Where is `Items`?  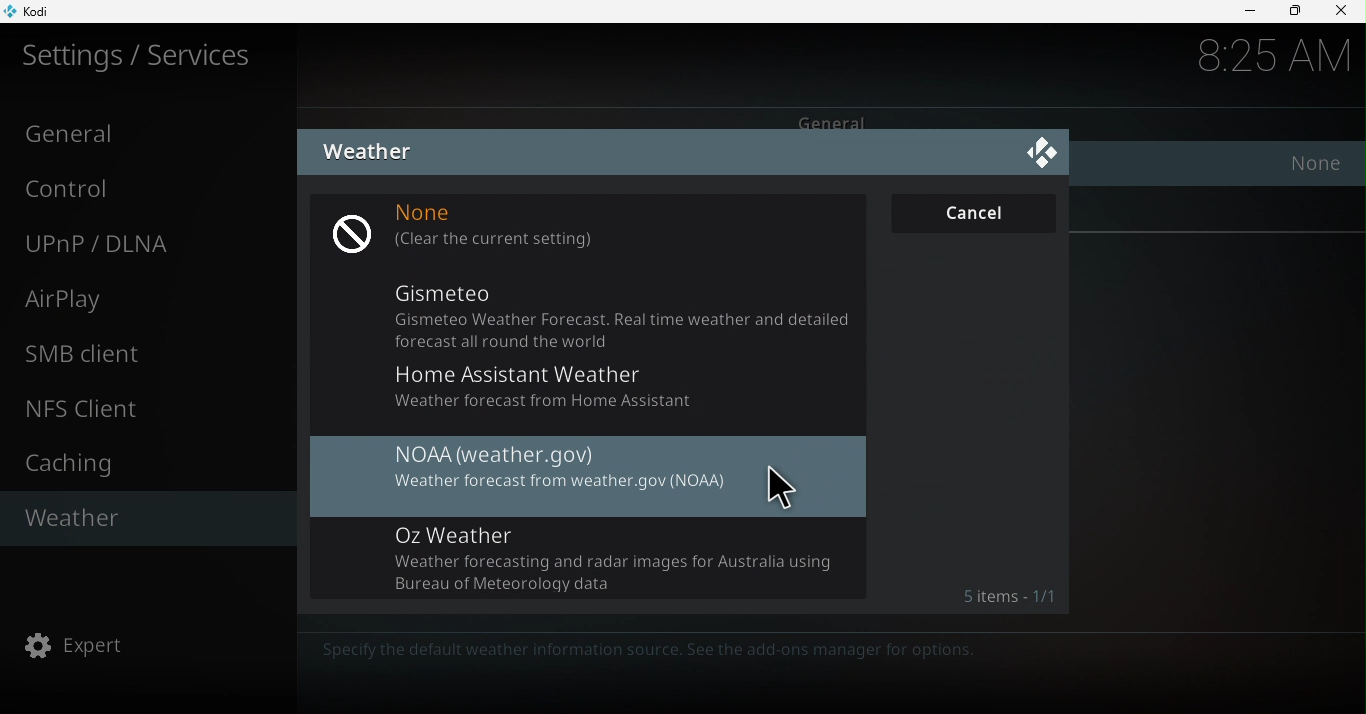
Items is located at coordinates (1011, 596).